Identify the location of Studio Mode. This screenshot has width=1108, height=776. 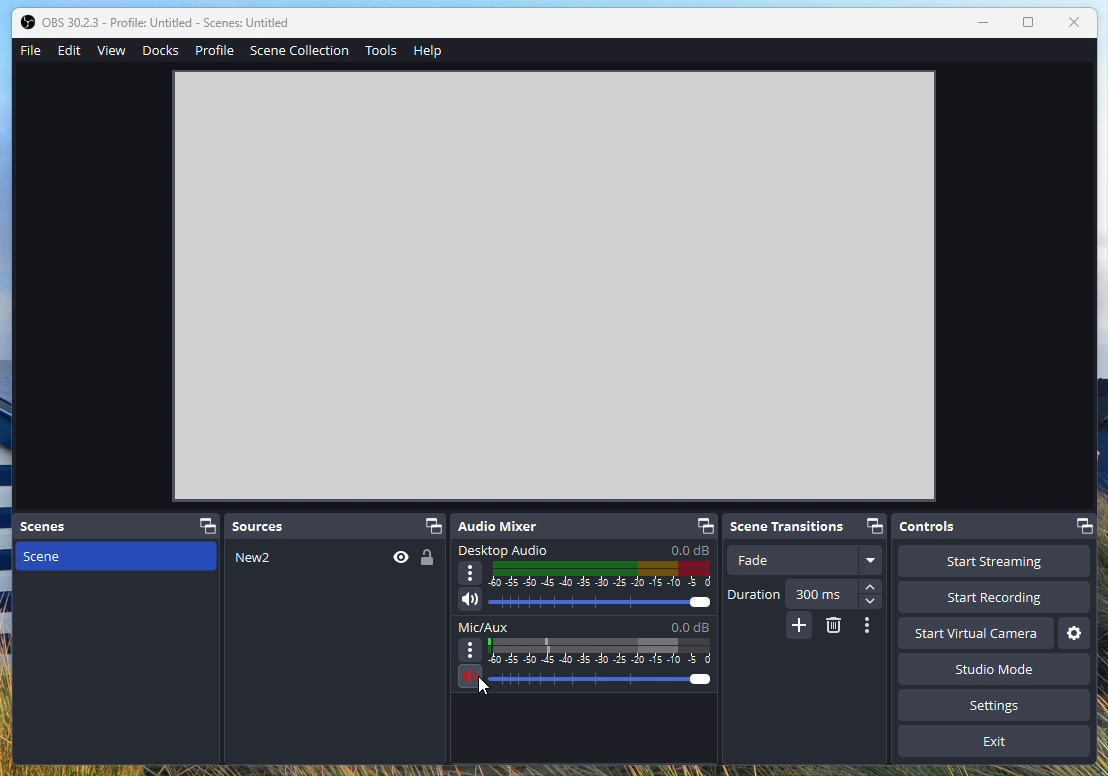
(991, 669).